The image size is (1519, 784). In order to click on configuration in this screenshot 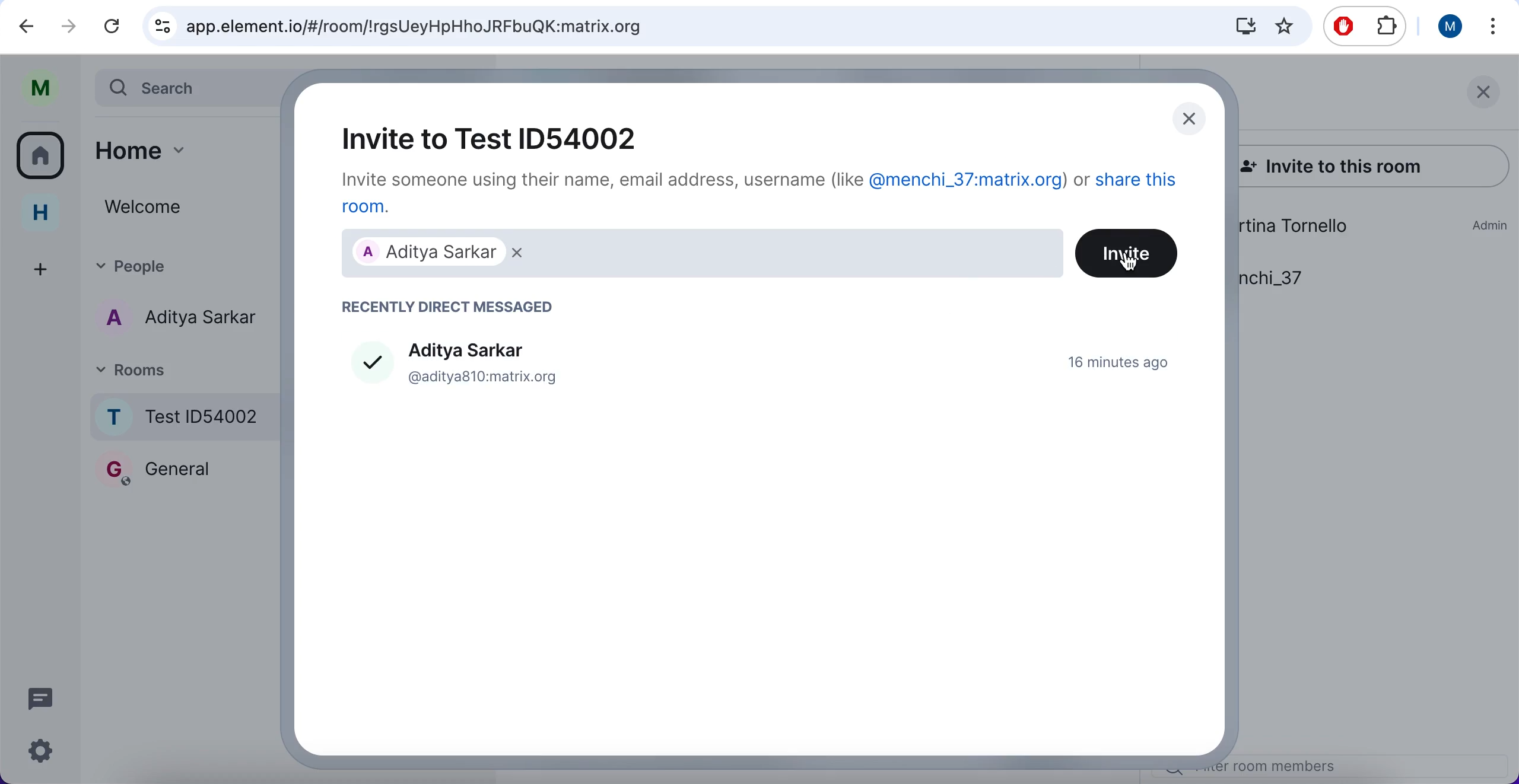, I will do `click(44, 754)`.